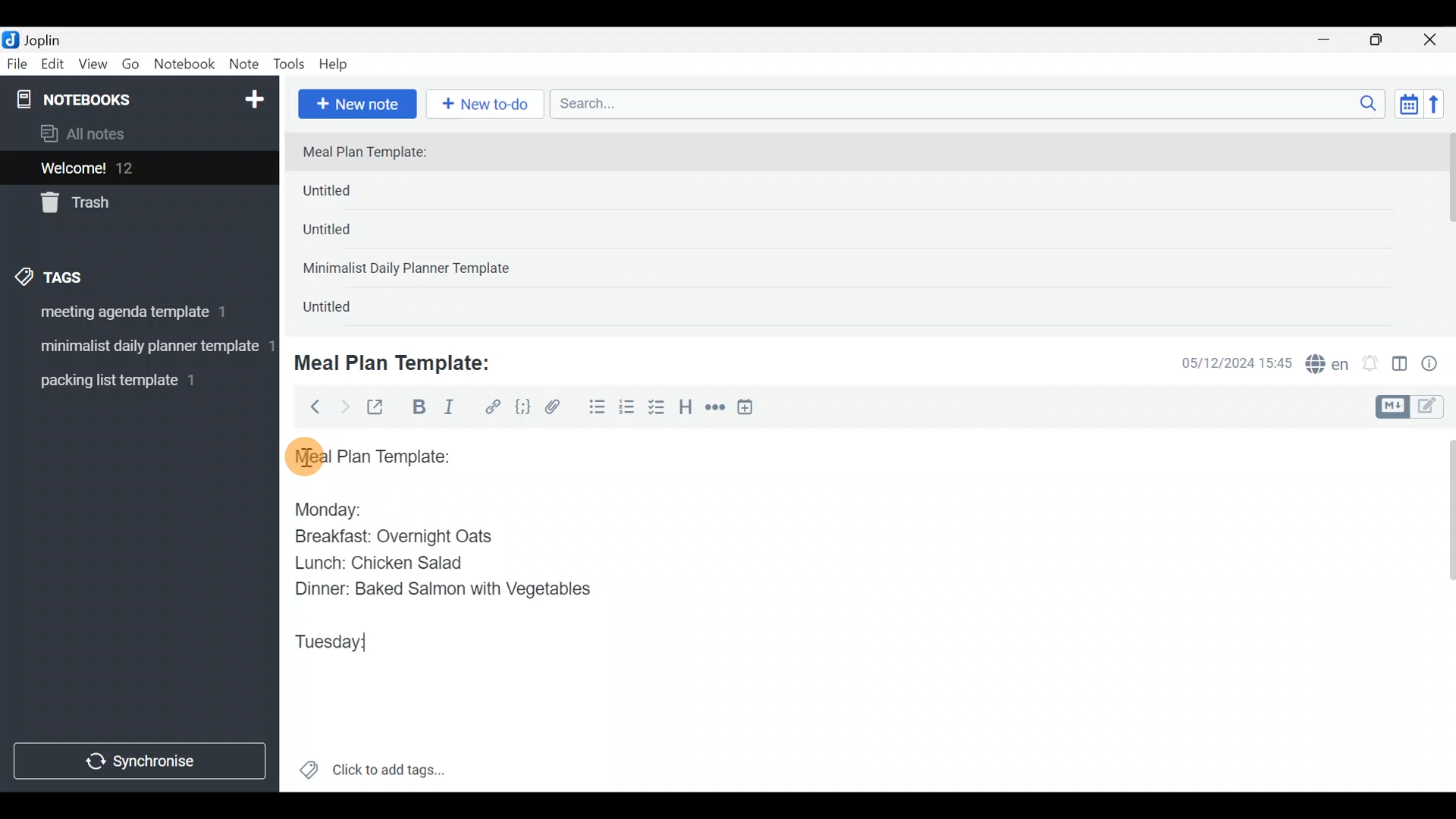  Describe the element at coordinates (137, 169) in the screenshot. I see `Welcome!` at that location.